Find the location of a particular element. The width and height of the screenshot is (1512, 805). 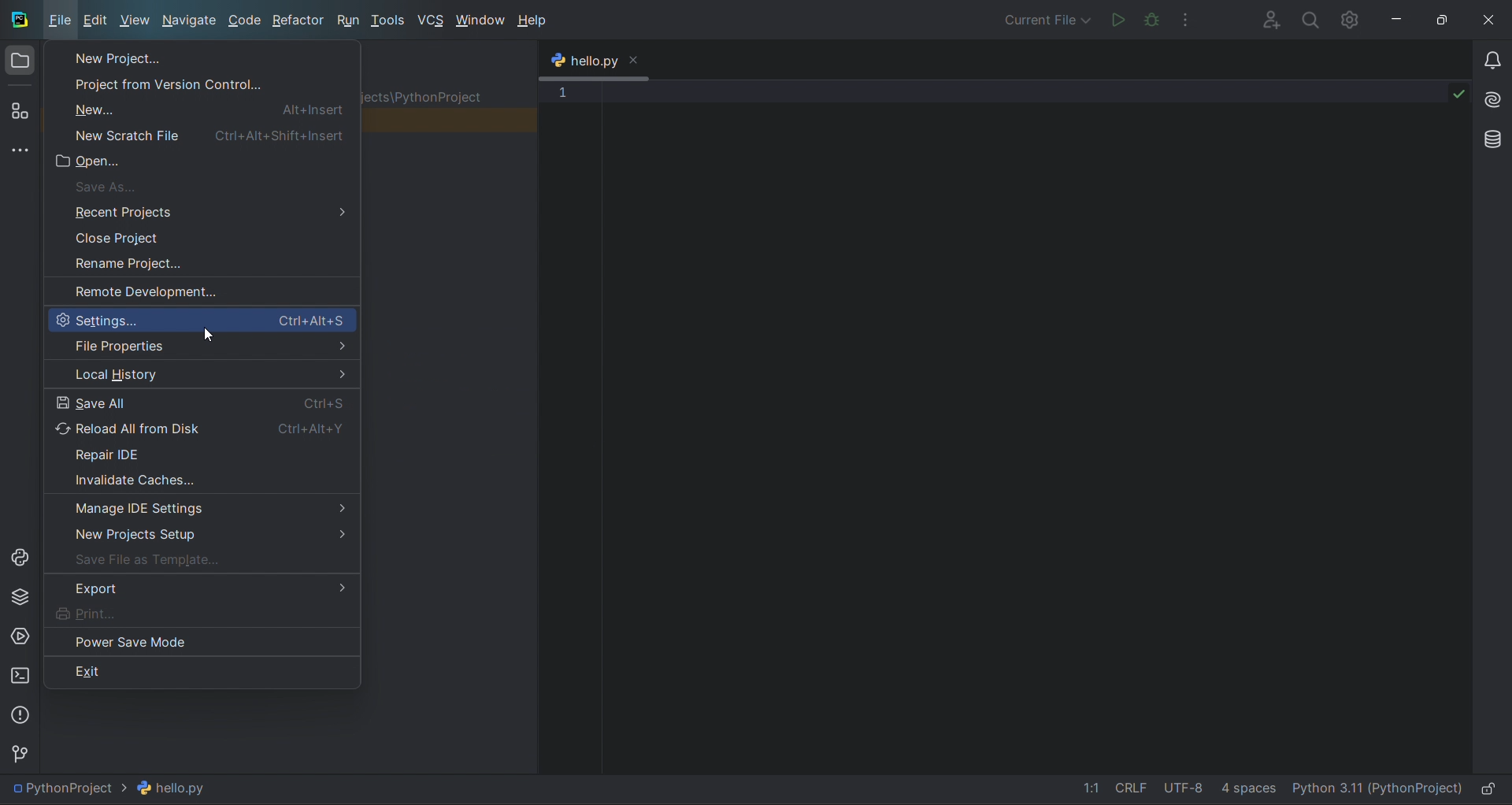

python package is located at coordinates (20, 597).